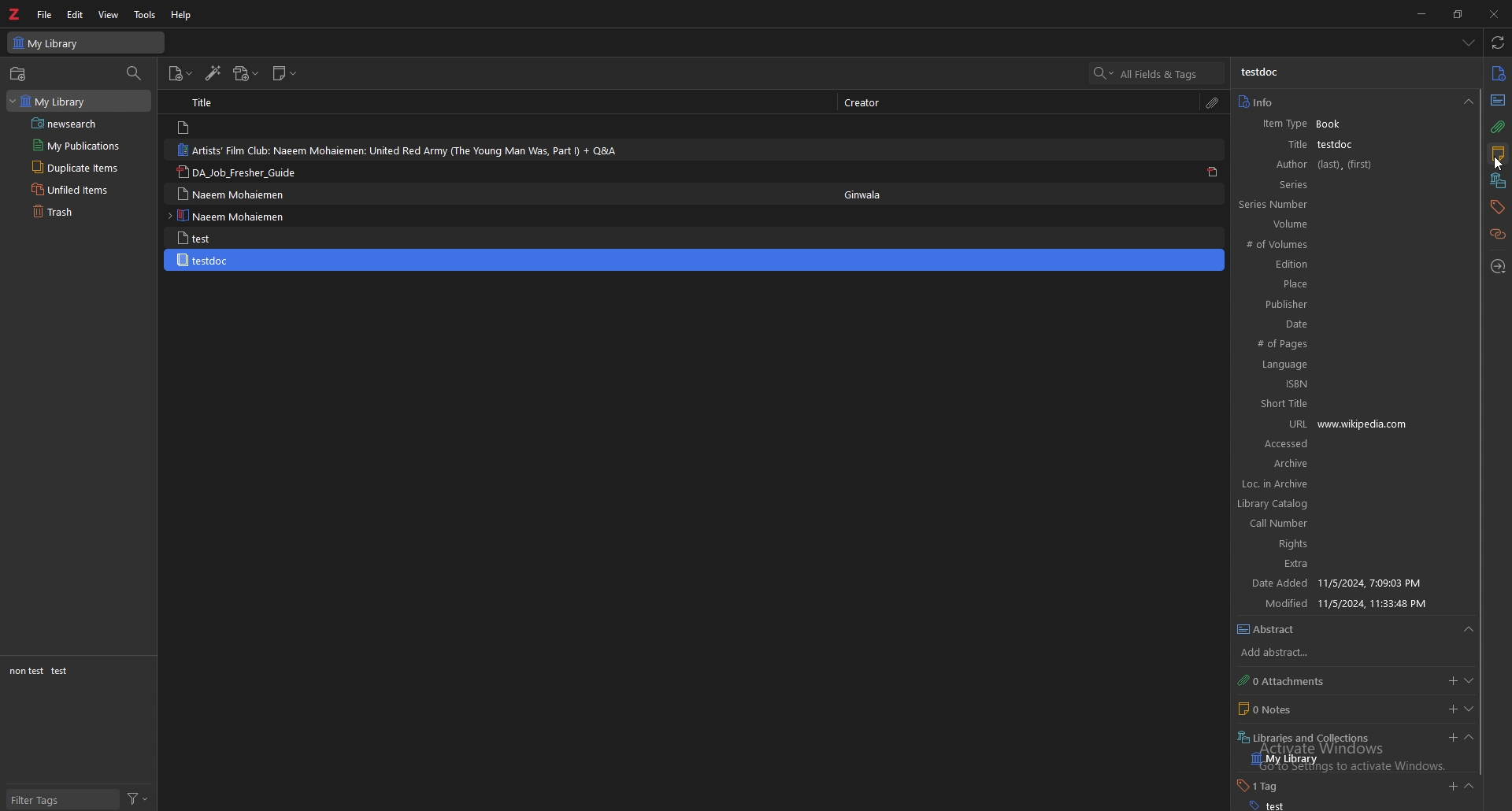  What do you see at coordinates (1343, 366) in the screenshot?
I see `language` at bounding box center [1343, 366].